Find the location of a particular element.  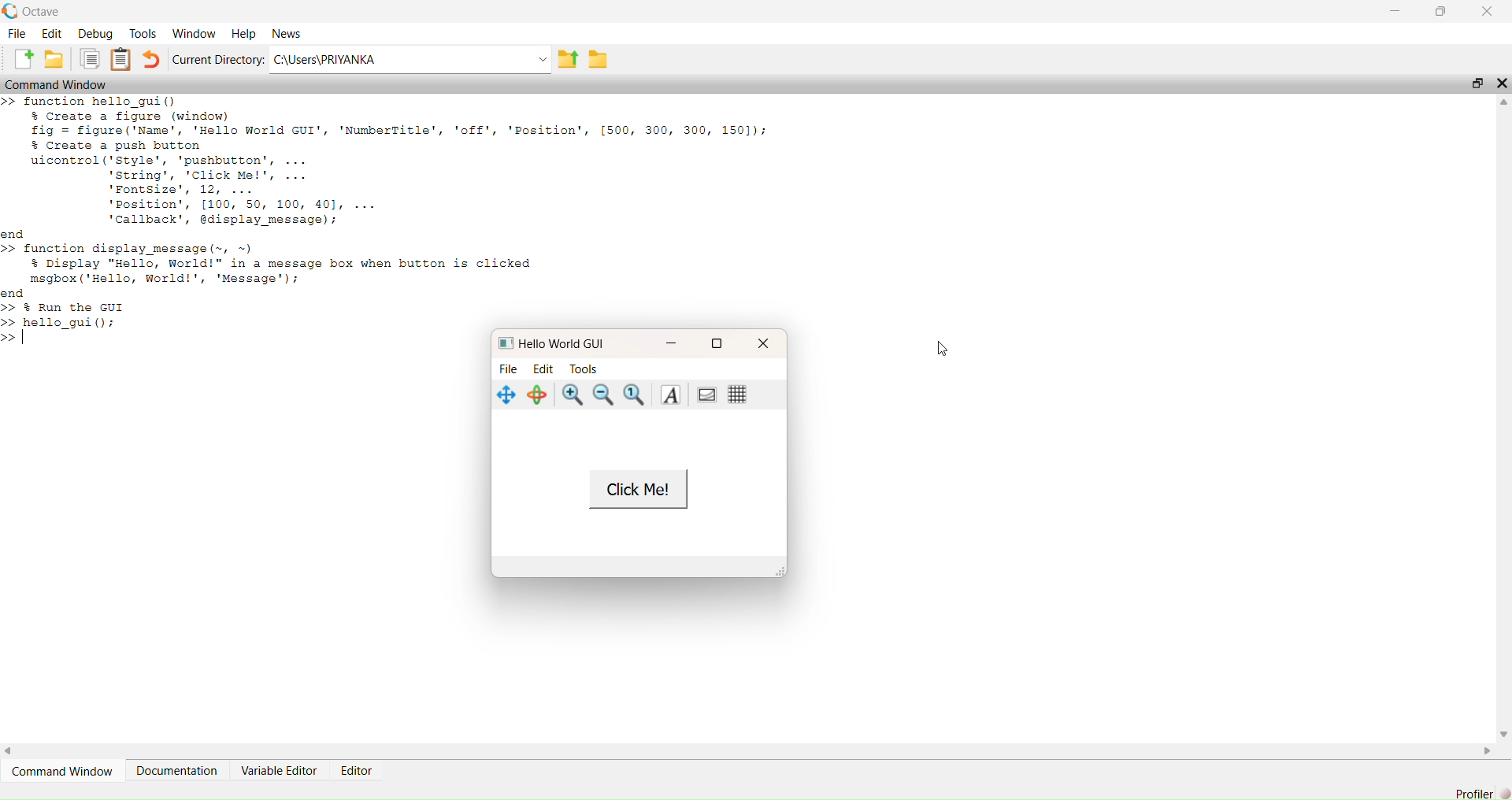

zoom is located at coordinates (634, 394).